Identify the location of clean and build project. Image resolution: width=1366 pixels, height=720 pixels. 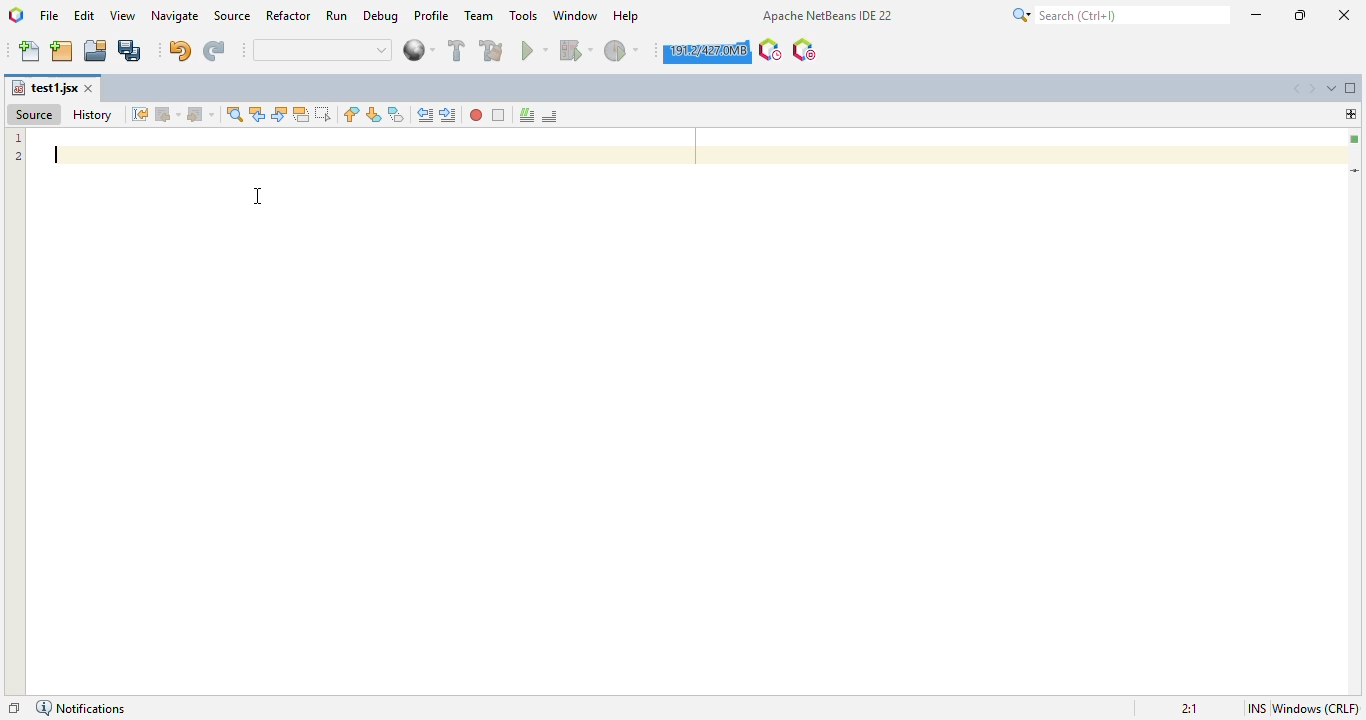
(491, 50).